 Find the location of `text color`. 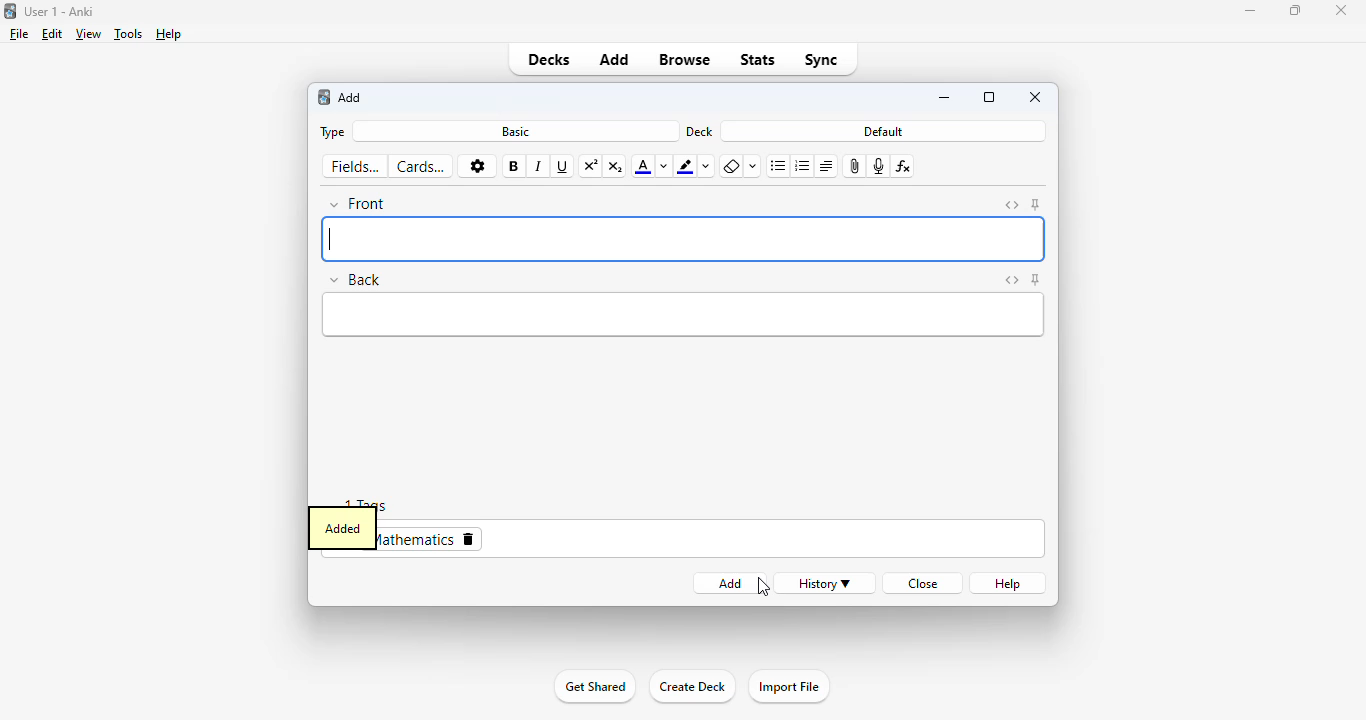

text color is located at coordinates (642, 167).